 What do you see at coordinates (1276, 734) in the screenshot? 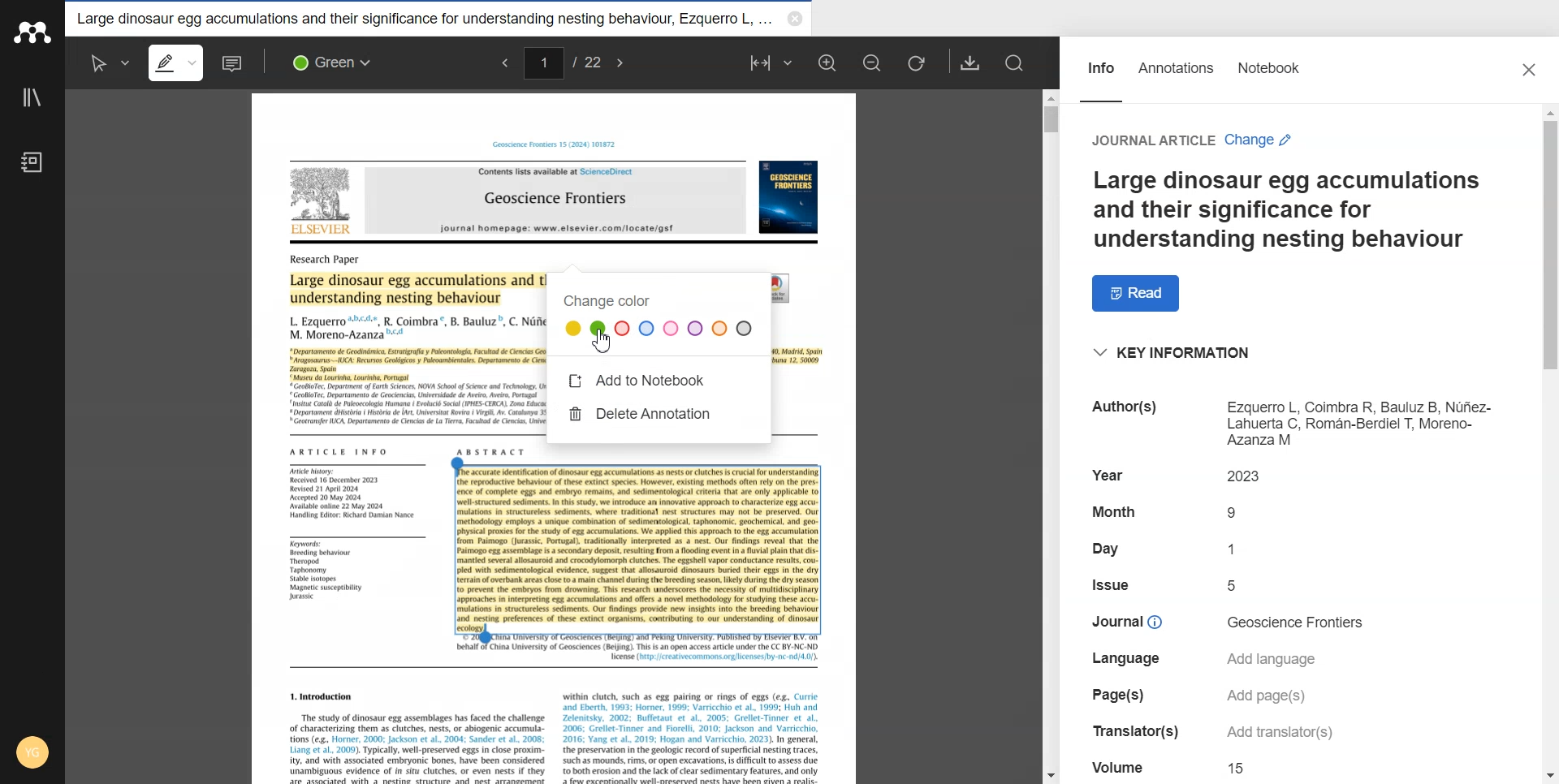
I see `text` at bounding box center [1276, 734].